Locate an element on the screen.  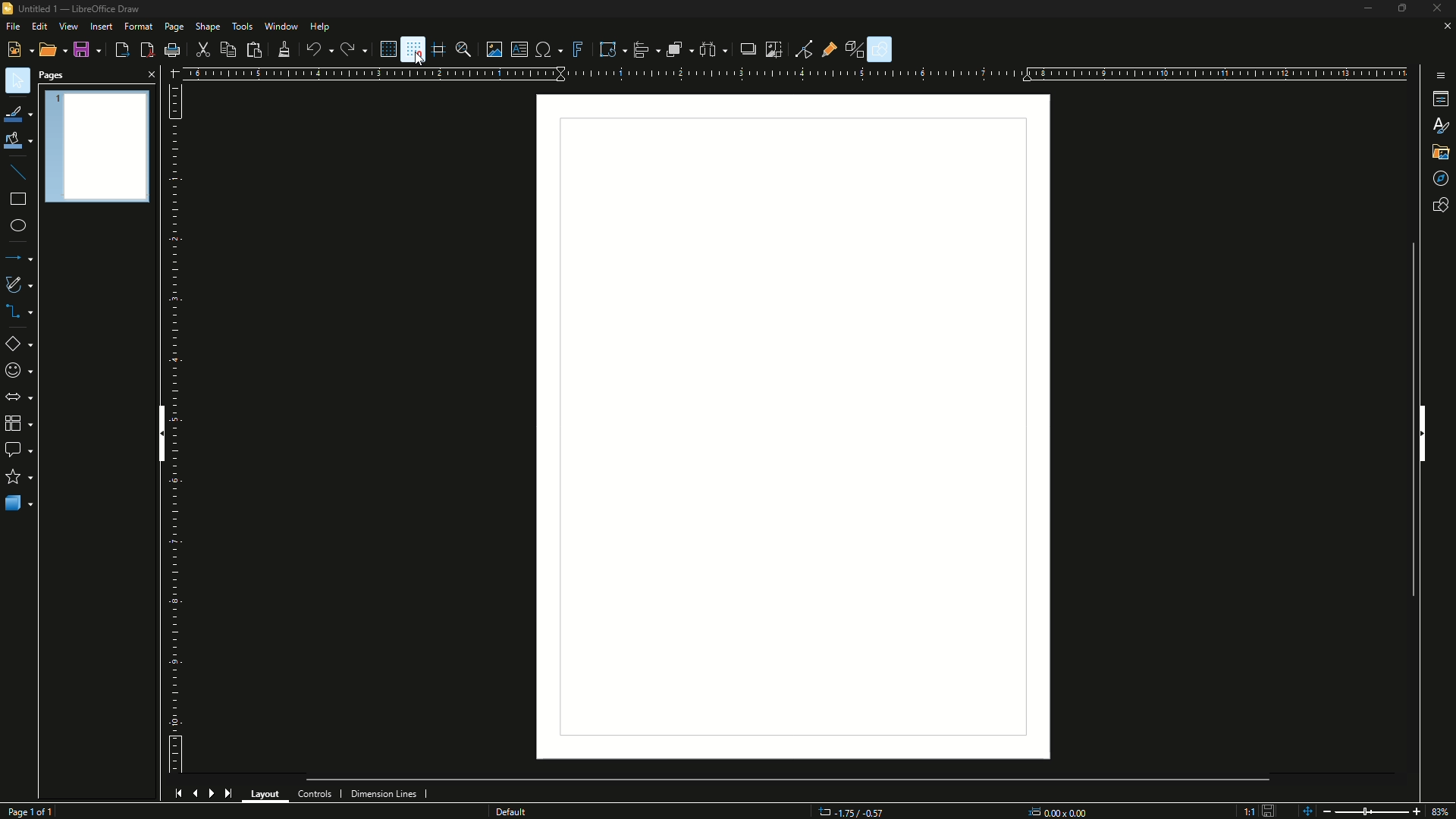
Ellipse is located at coordinates (22, 223).